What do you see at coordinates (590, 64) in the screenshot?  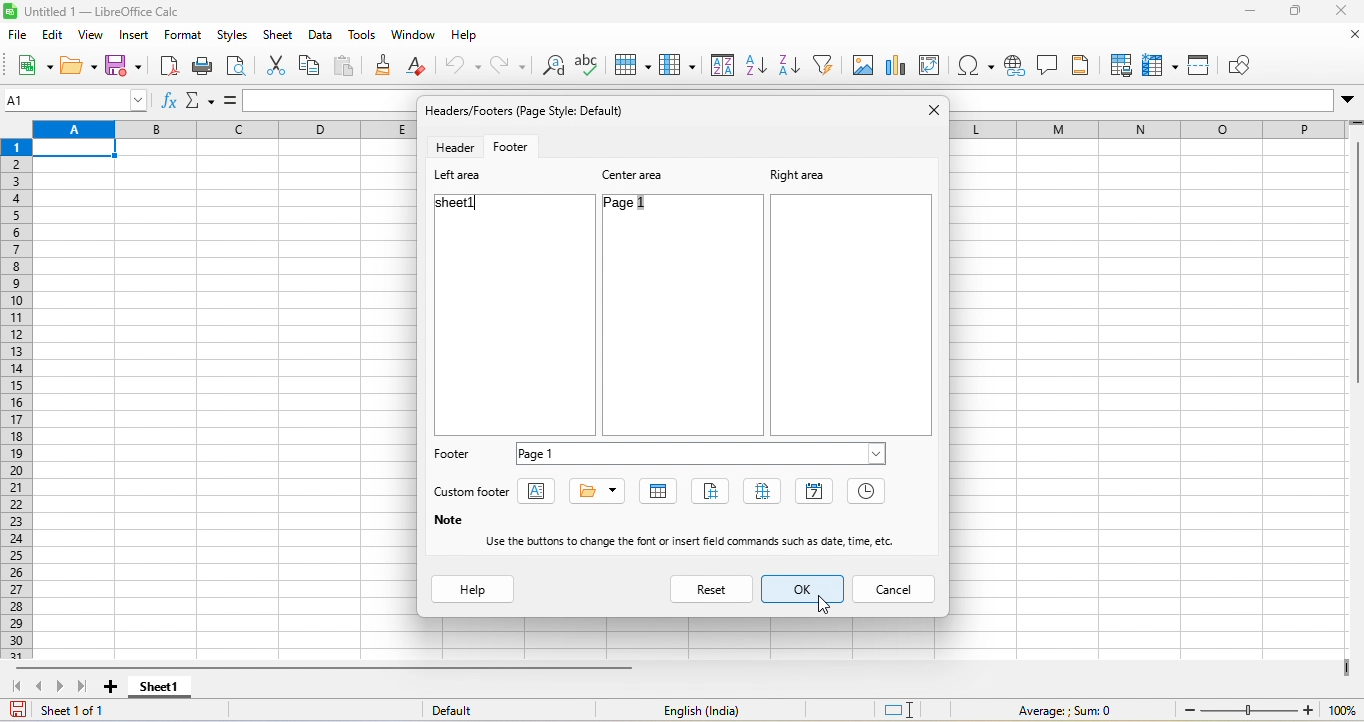 I see `spelling` at bounding box center [590, 64].